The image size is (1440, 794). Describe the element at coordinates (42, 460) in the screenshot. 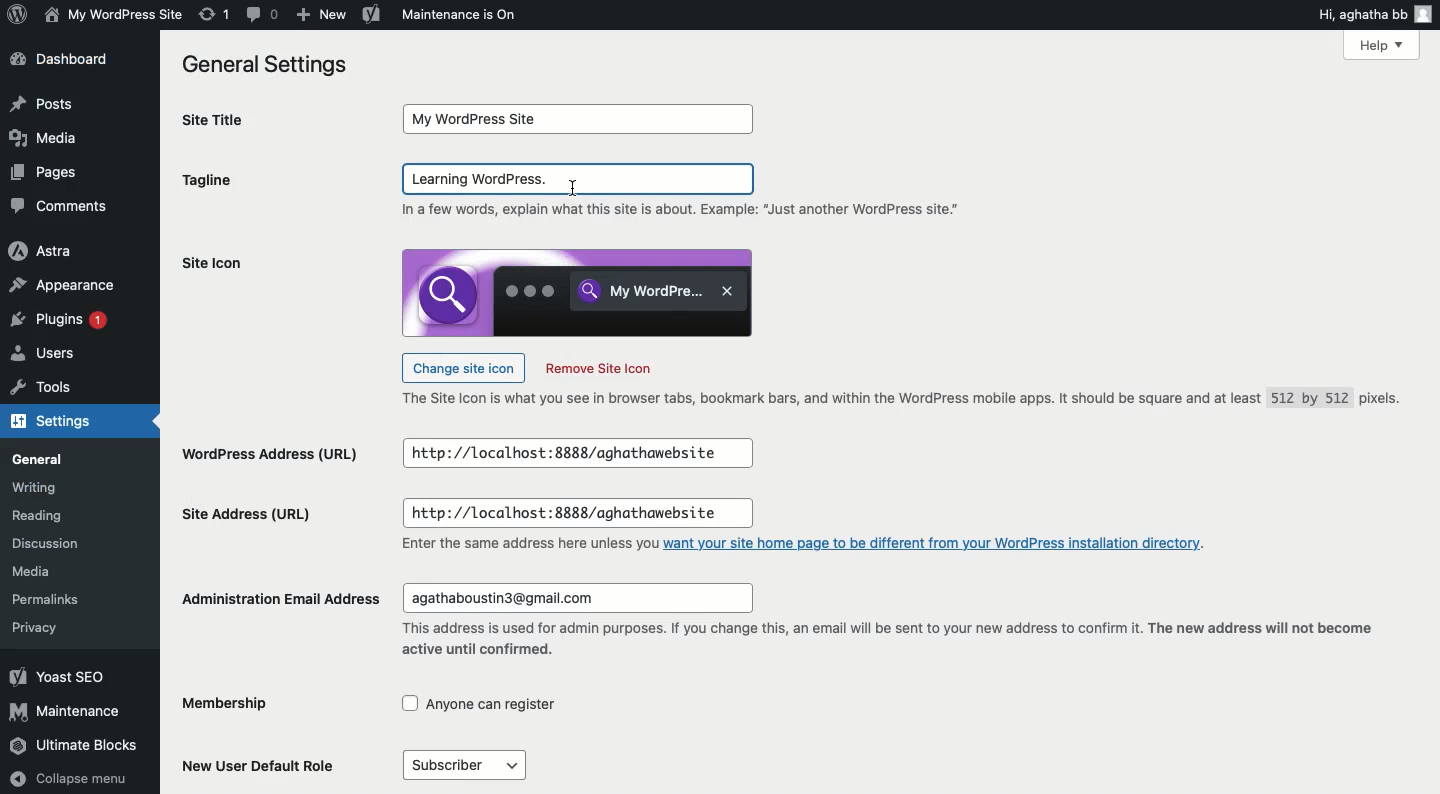

I see `General` at that location.